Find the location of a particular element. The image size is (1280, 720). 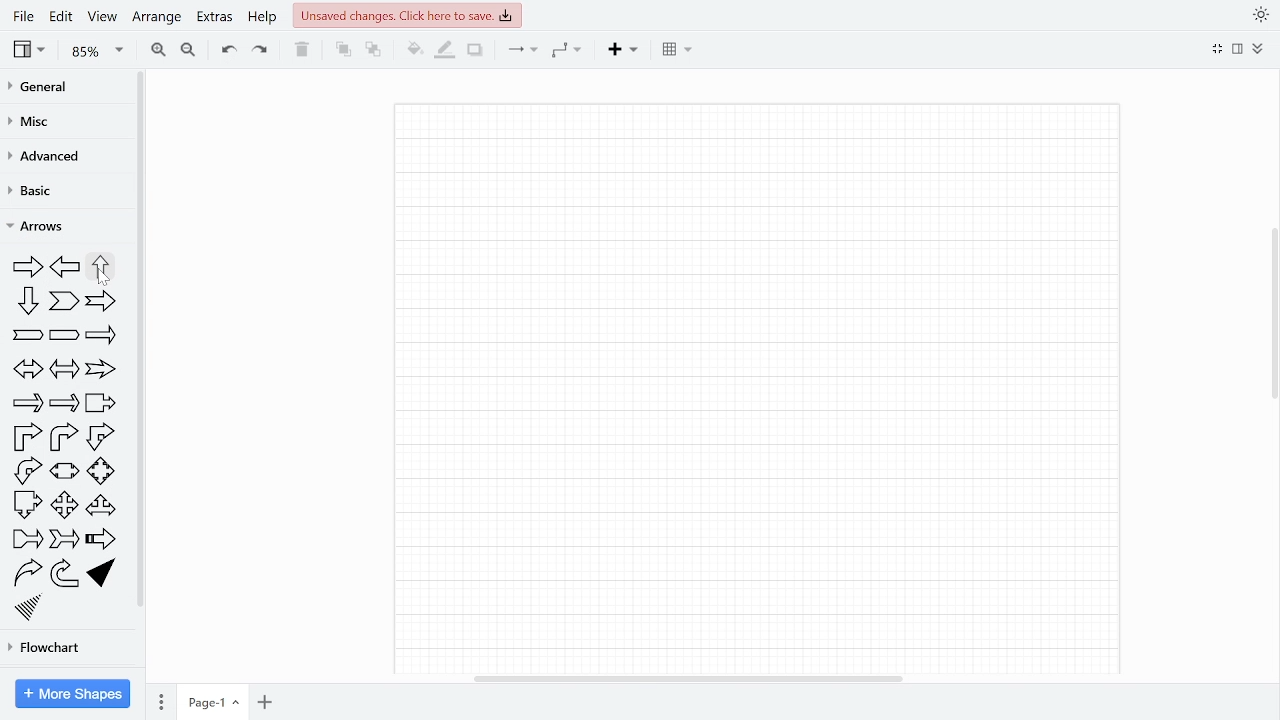

EDit is located at coordinates (61, 16).